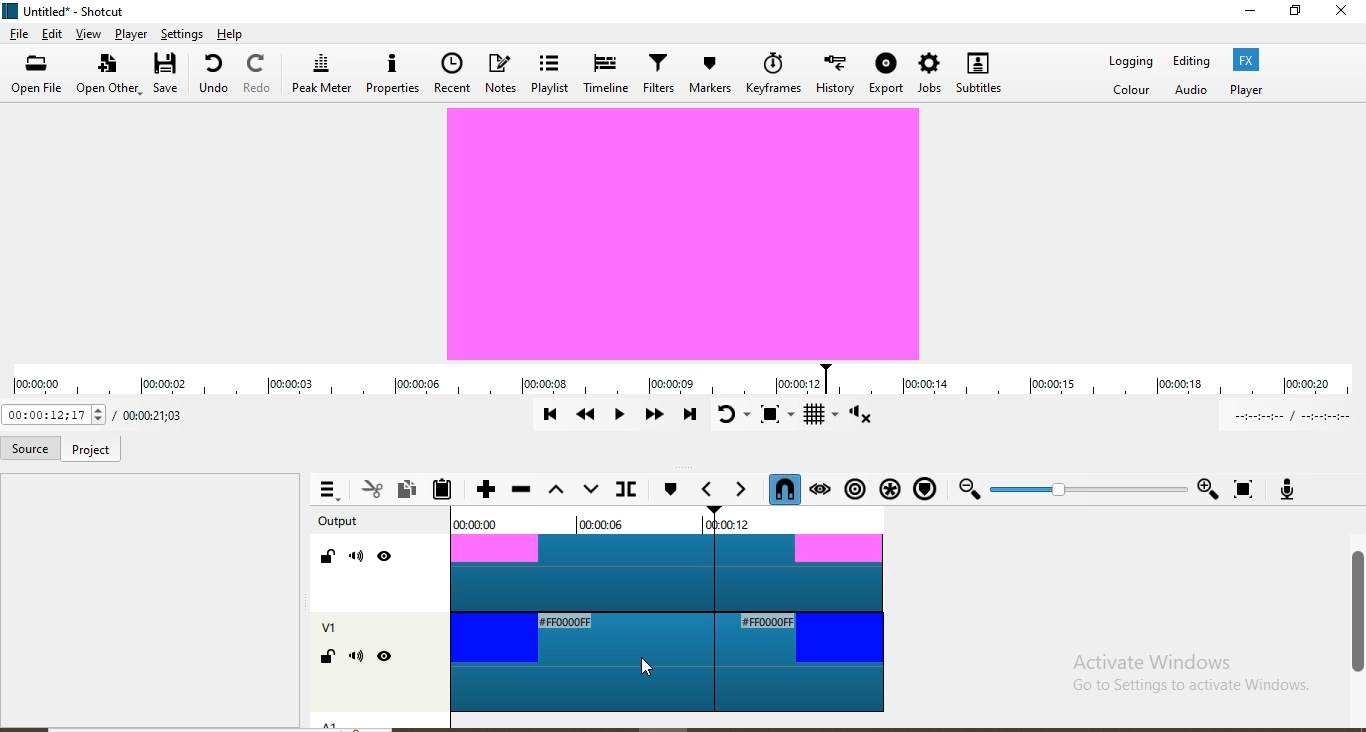 The image size is (1366, 732). I want to click on Play quickly forward, so click(653, 414).